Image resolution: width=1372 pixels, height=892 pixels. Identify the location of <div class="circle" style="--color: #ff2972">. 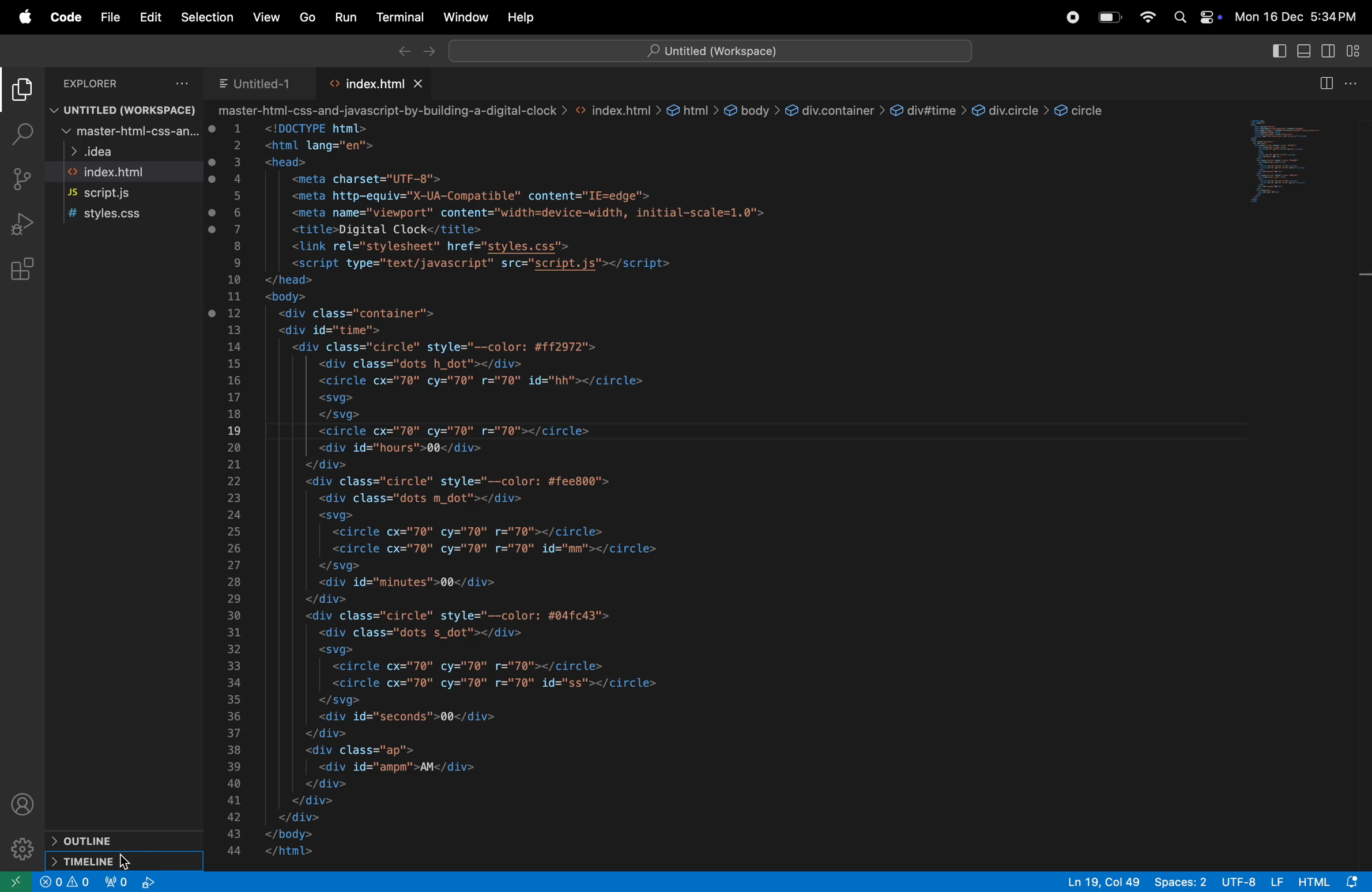
(442, 346).